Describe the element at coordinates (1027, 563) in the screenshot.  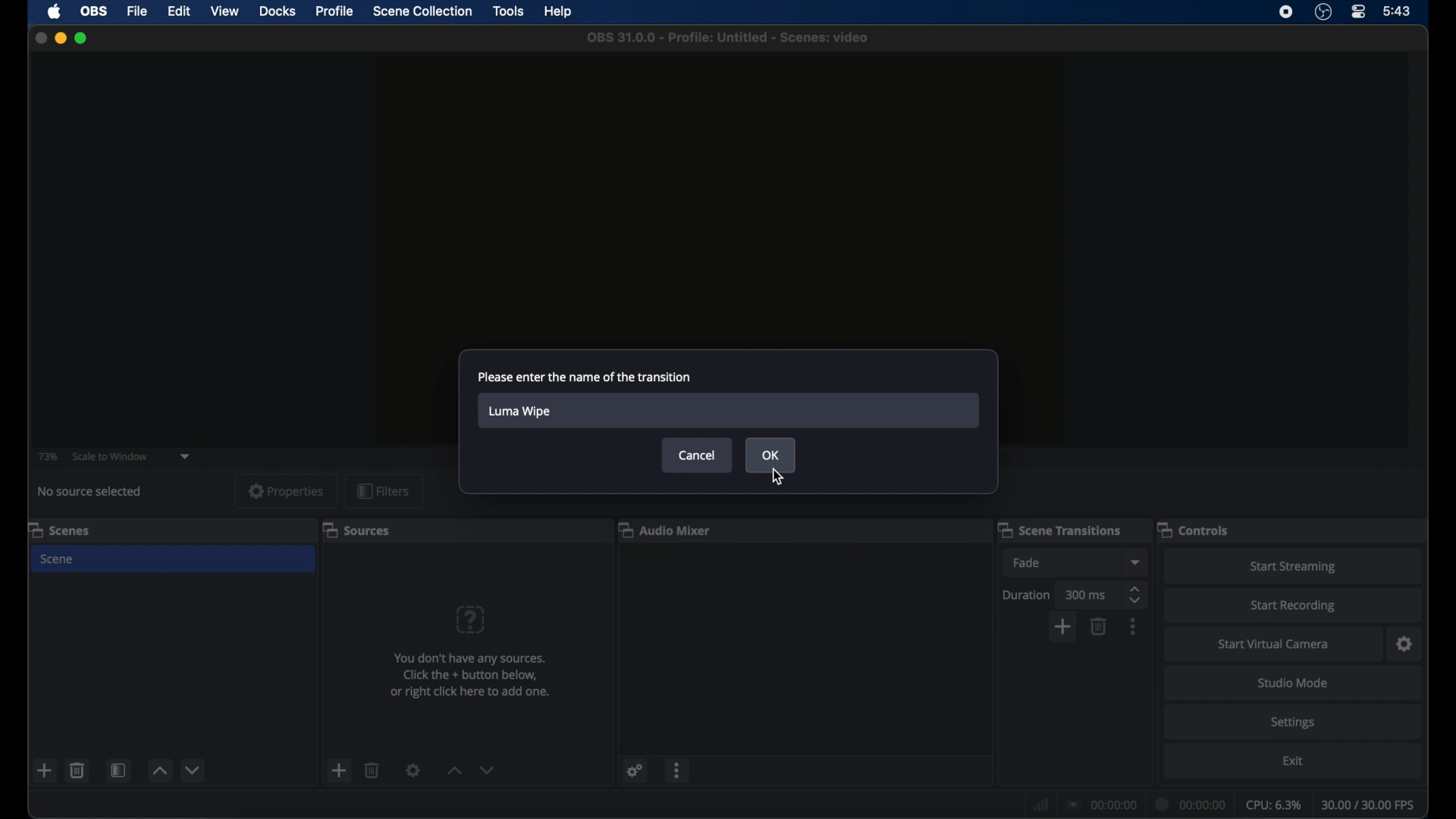
I see `fade` at that location.